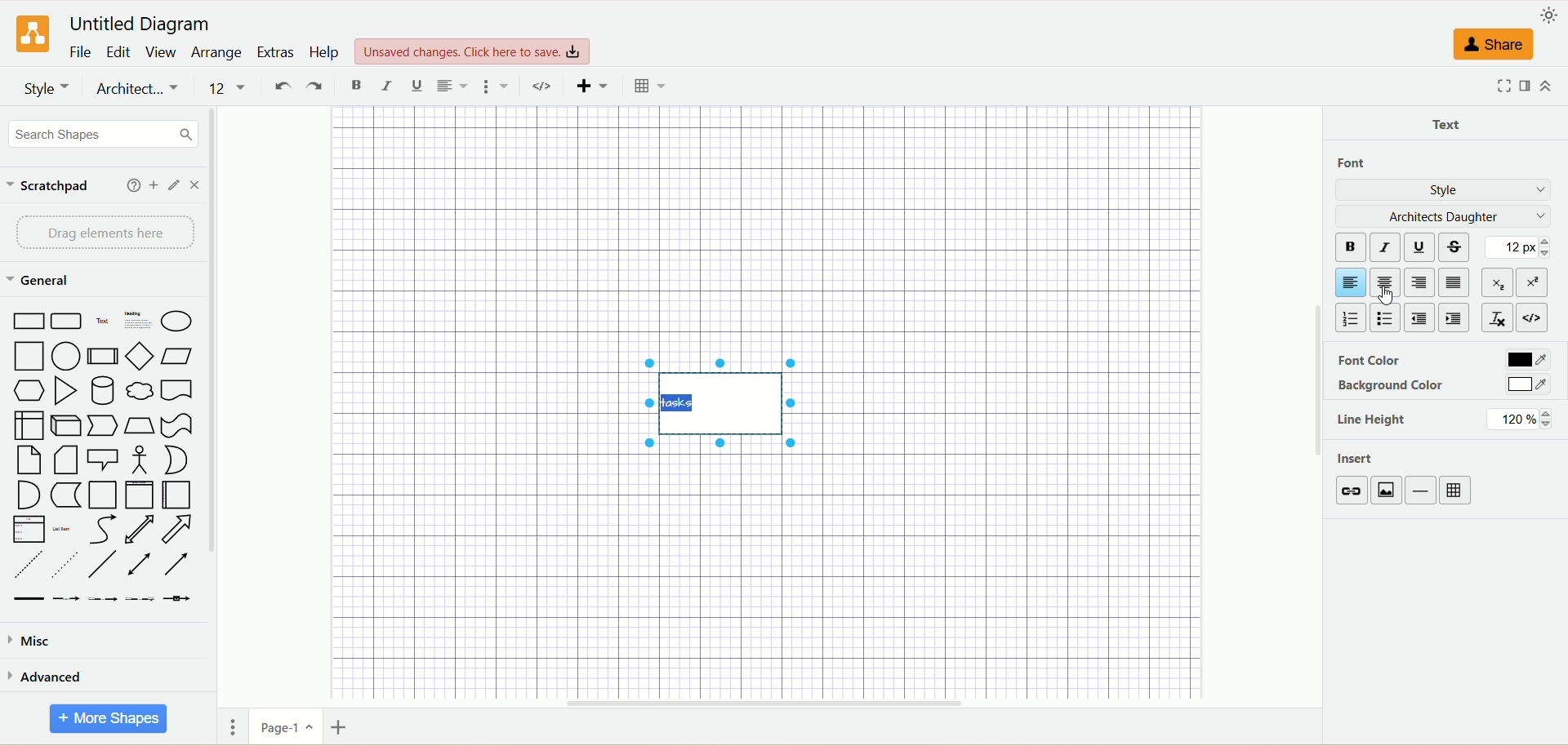 The height and width of the screenshot is (746, 1568). I want to click on Speech Bubble, so click(103, 461).